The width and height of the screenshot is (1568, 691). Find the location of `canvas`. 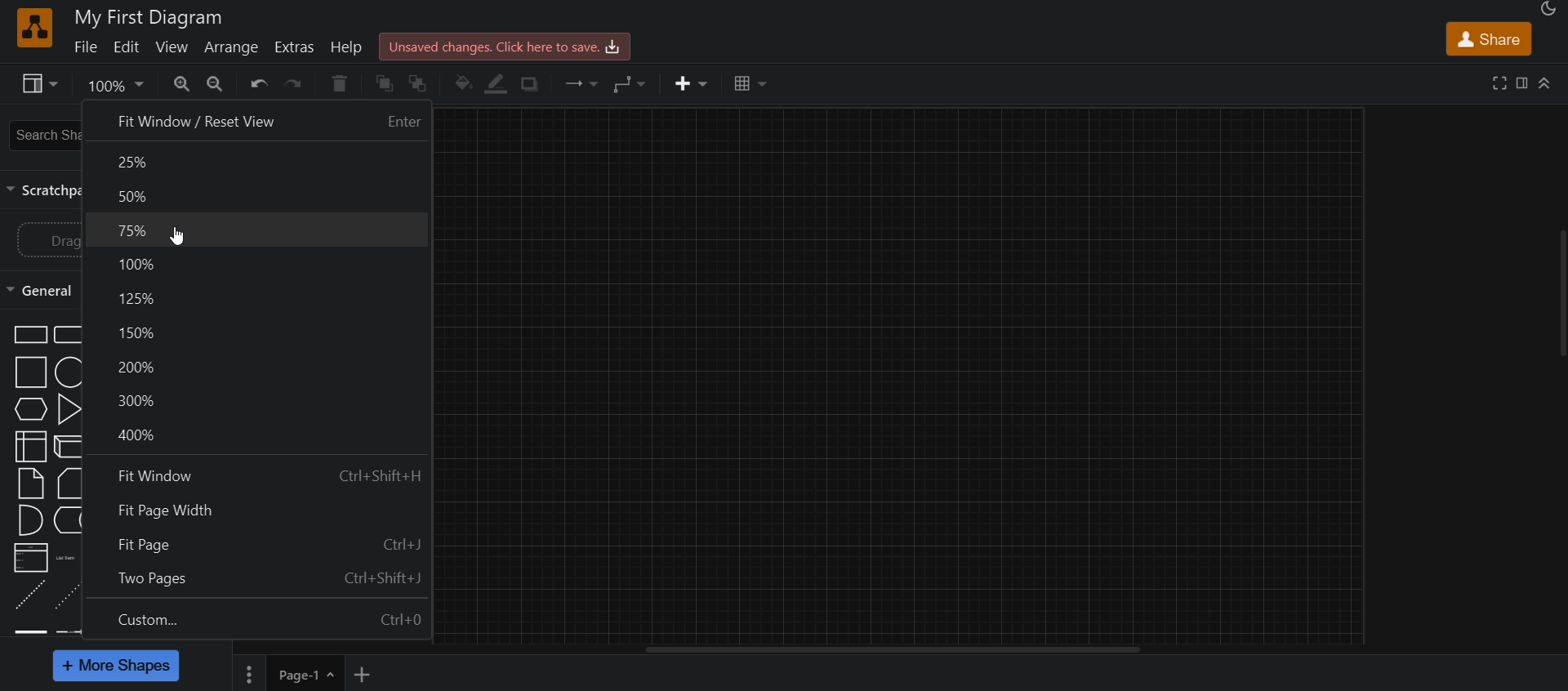

canvas is located at coordinates (912, 376).